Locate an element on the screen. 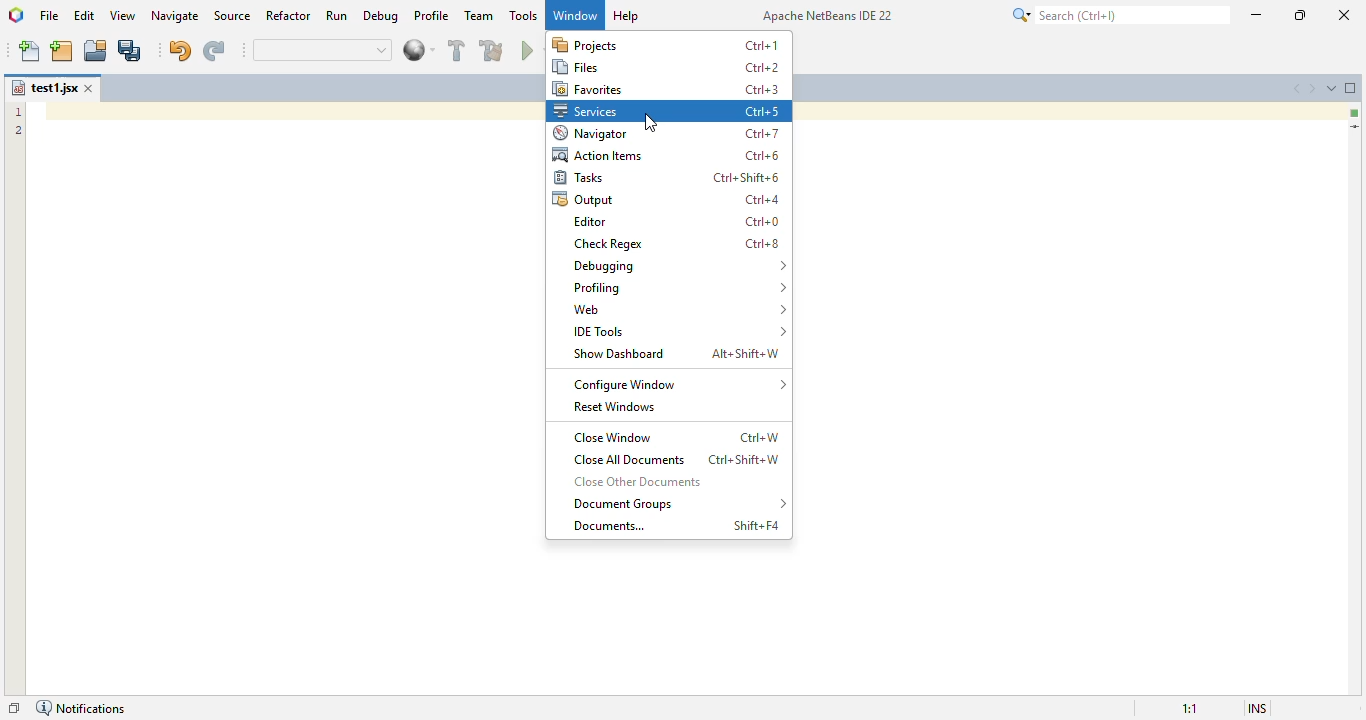  web browse is located at coordinates (418, 50).